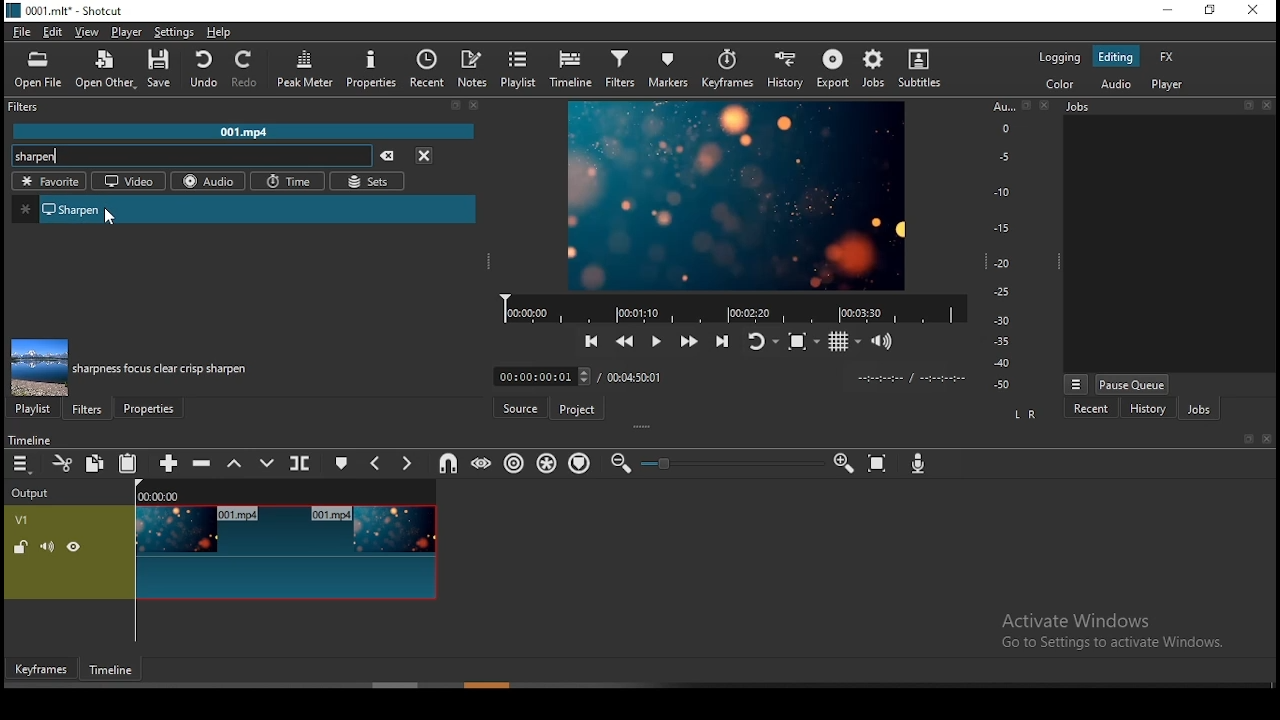 The width and height of the screenshot is (1280, 720). What do you see at coordinates (593, 338) in the screenshot?
I see `skip to previous point` at bounding box center [593, 338].